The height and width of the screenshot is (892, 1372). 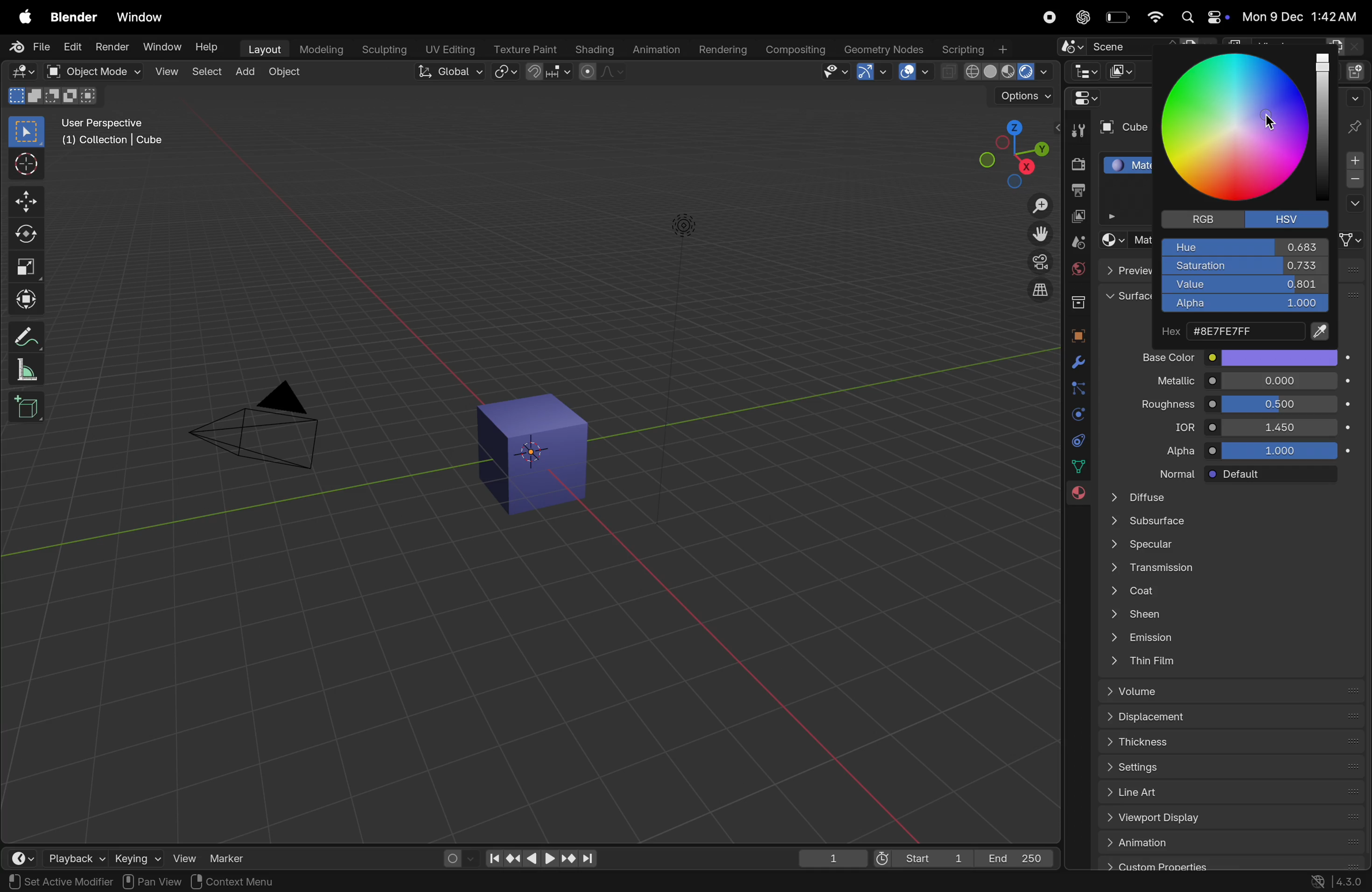 What do you see at coordinates (1078, 363) in the screenshot?
I see `modifiers` at bounding box center [1078, 363].